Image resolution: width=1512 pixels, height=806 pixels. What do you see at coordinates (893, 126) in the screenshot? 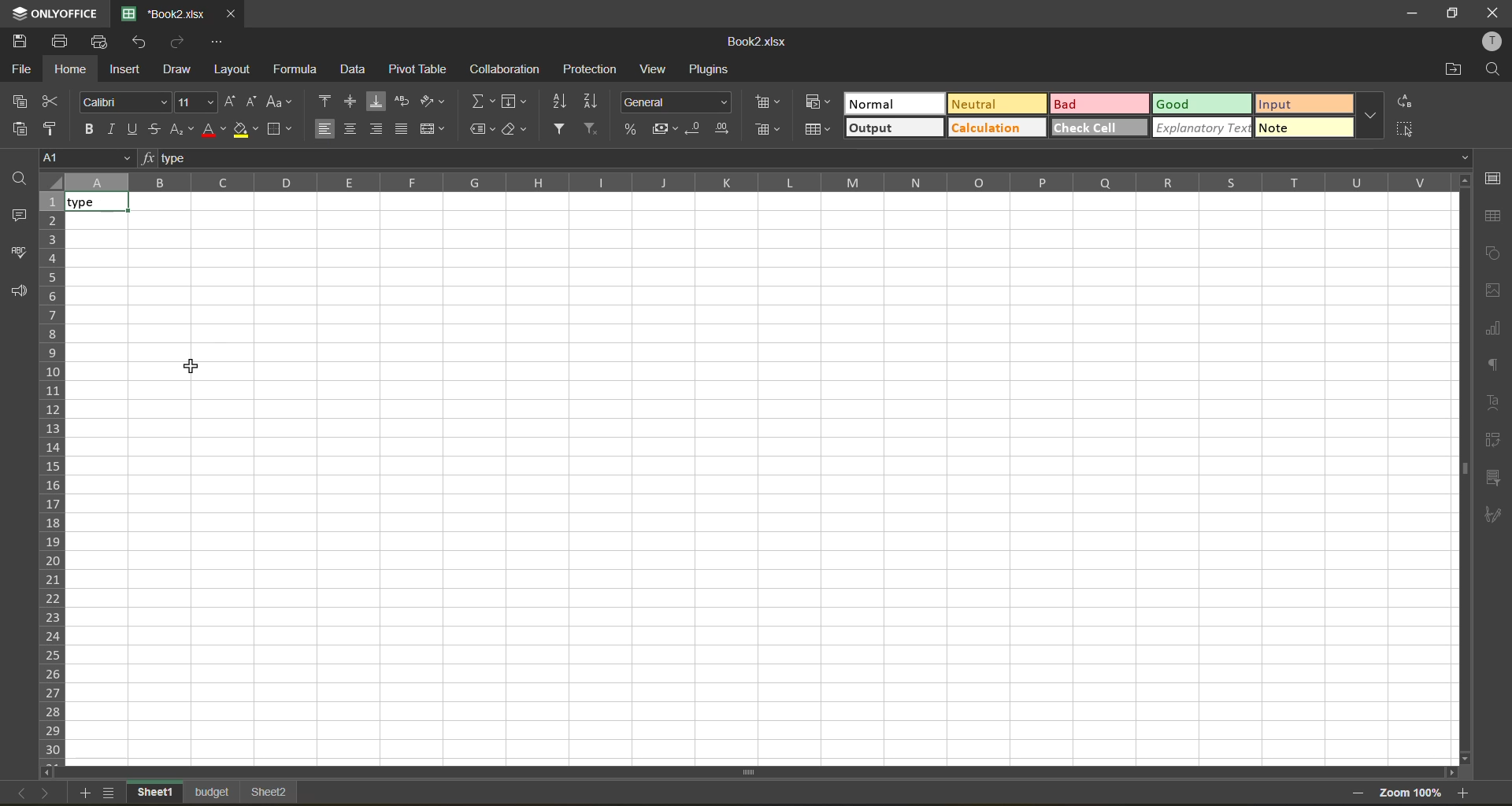
I see `output` at bounding box center [893, 126].